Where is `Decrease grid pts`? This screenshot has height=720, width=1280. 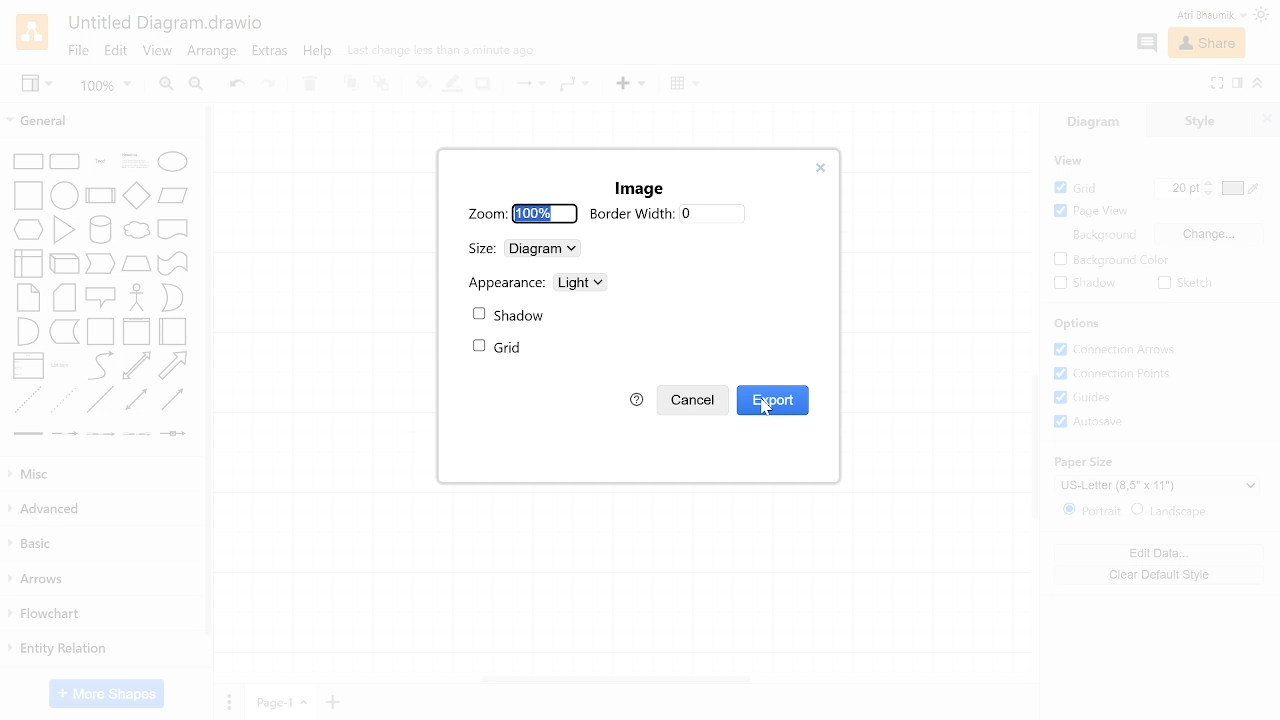 Decrease grid pts is located at coordinates (1210, 195).